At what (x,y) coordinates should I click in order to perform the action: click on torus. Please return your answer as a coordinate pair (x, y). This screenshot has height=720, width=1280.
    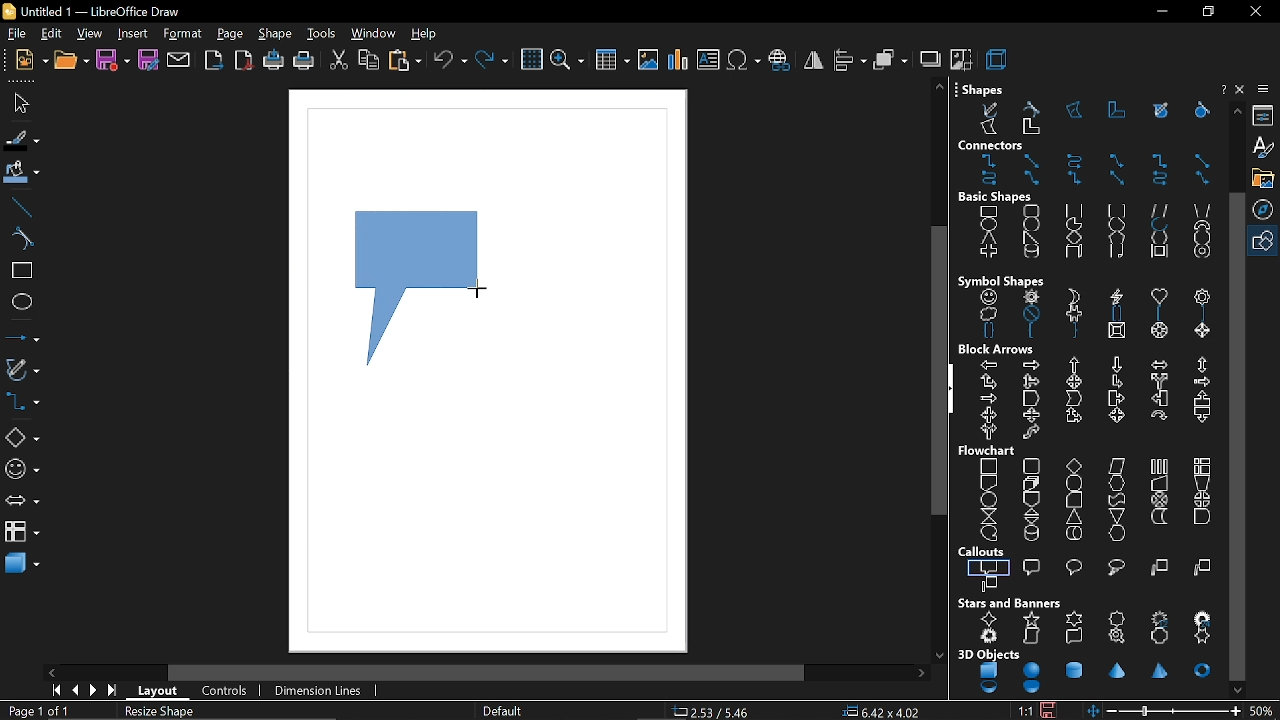
    Looking at the image, I should click on (1203, 670).